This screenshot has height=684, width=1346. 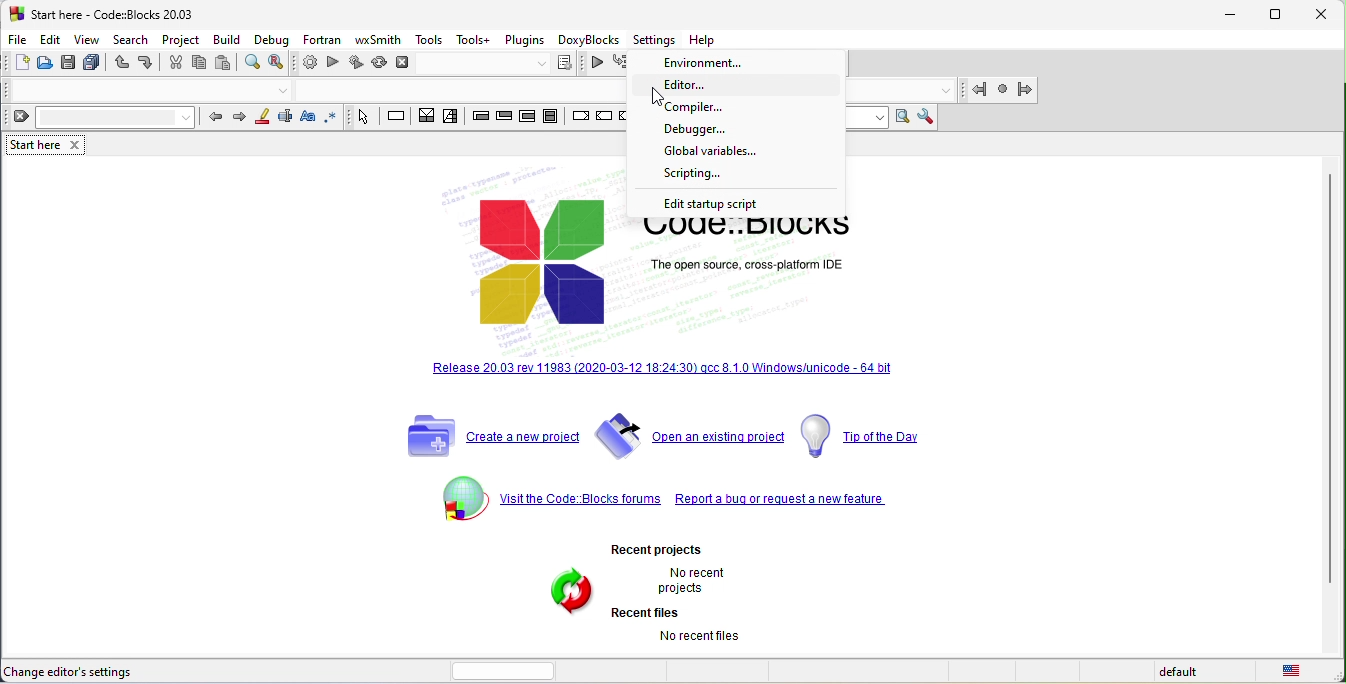 I want to click on run search, so click(x=902, y=119).